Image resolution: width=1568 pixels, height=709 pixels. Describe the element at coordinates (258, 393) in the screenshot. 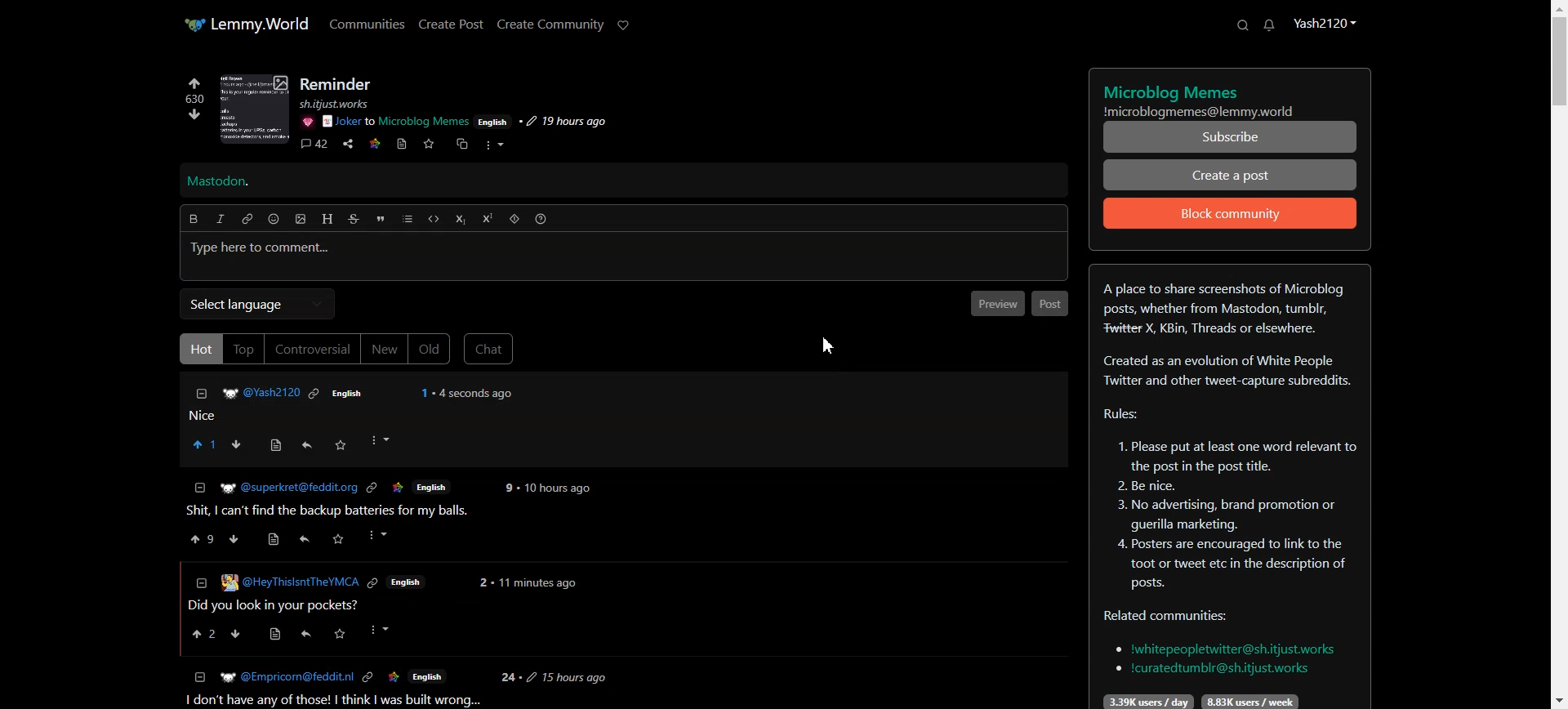

I see `` at that location.